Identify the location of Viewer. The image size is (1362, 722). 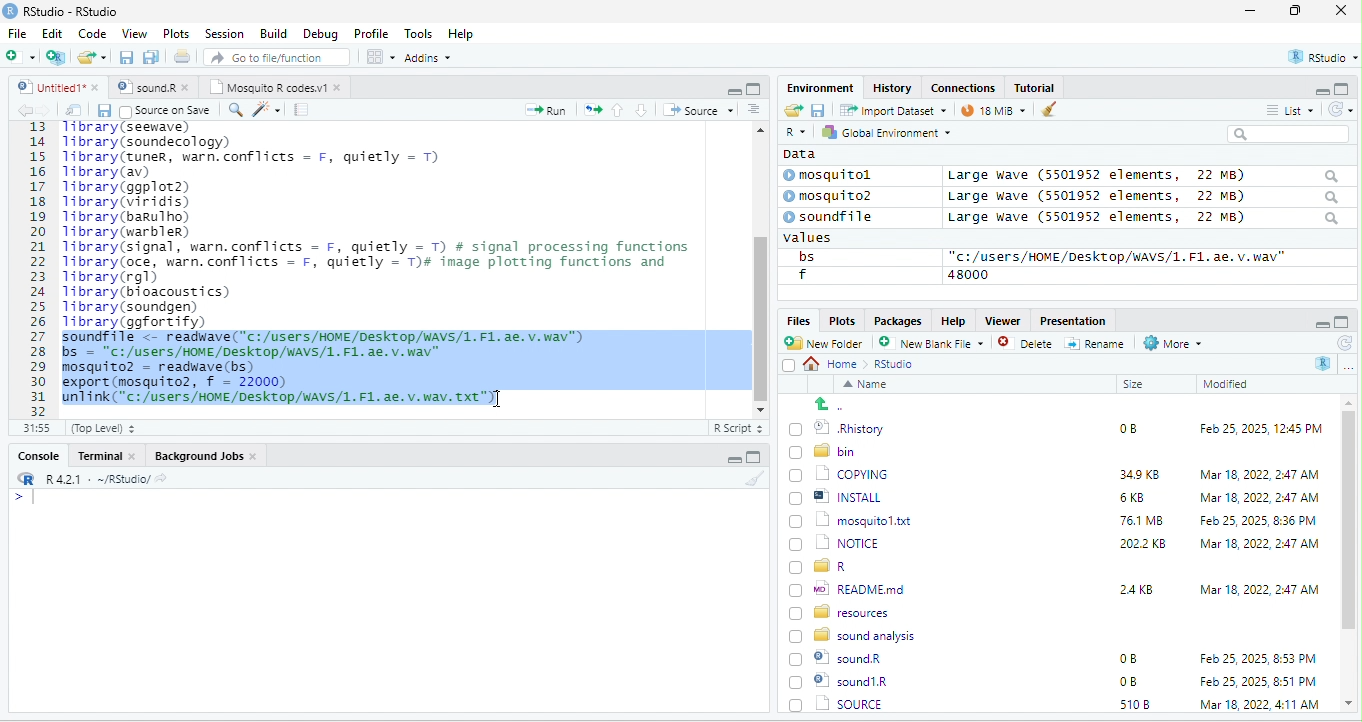
(1000, 321).